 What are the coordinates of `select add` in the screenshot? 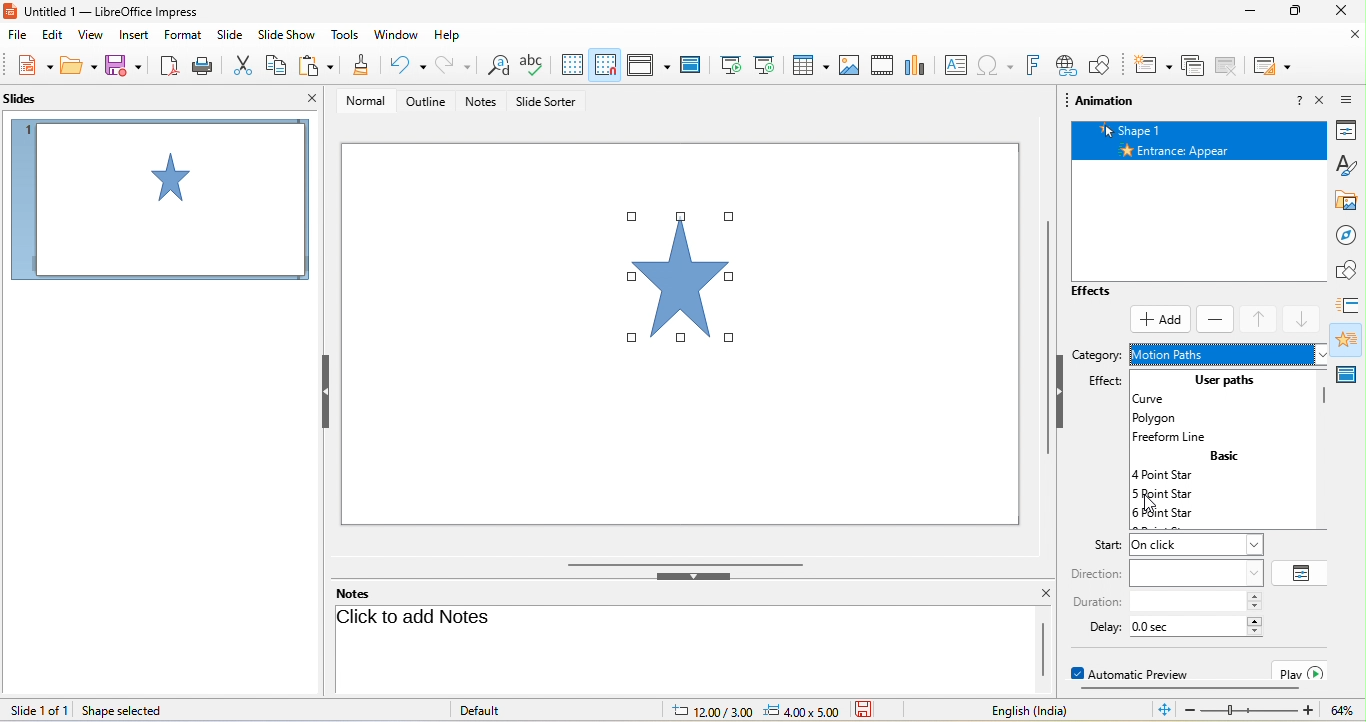 It's located at (1160, 320).